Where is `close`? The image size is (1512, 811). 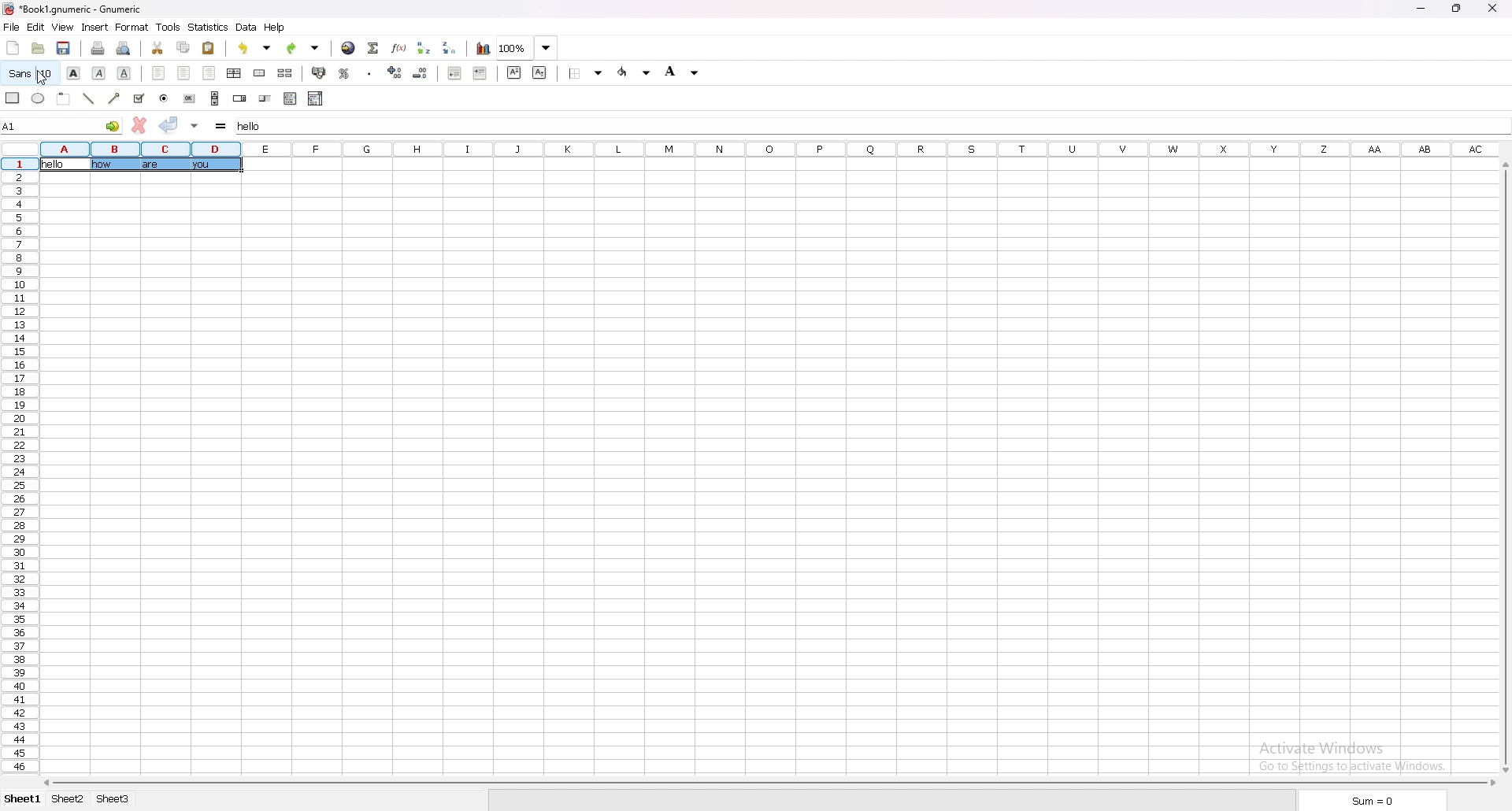 close is located at coordinates (1494, 9).